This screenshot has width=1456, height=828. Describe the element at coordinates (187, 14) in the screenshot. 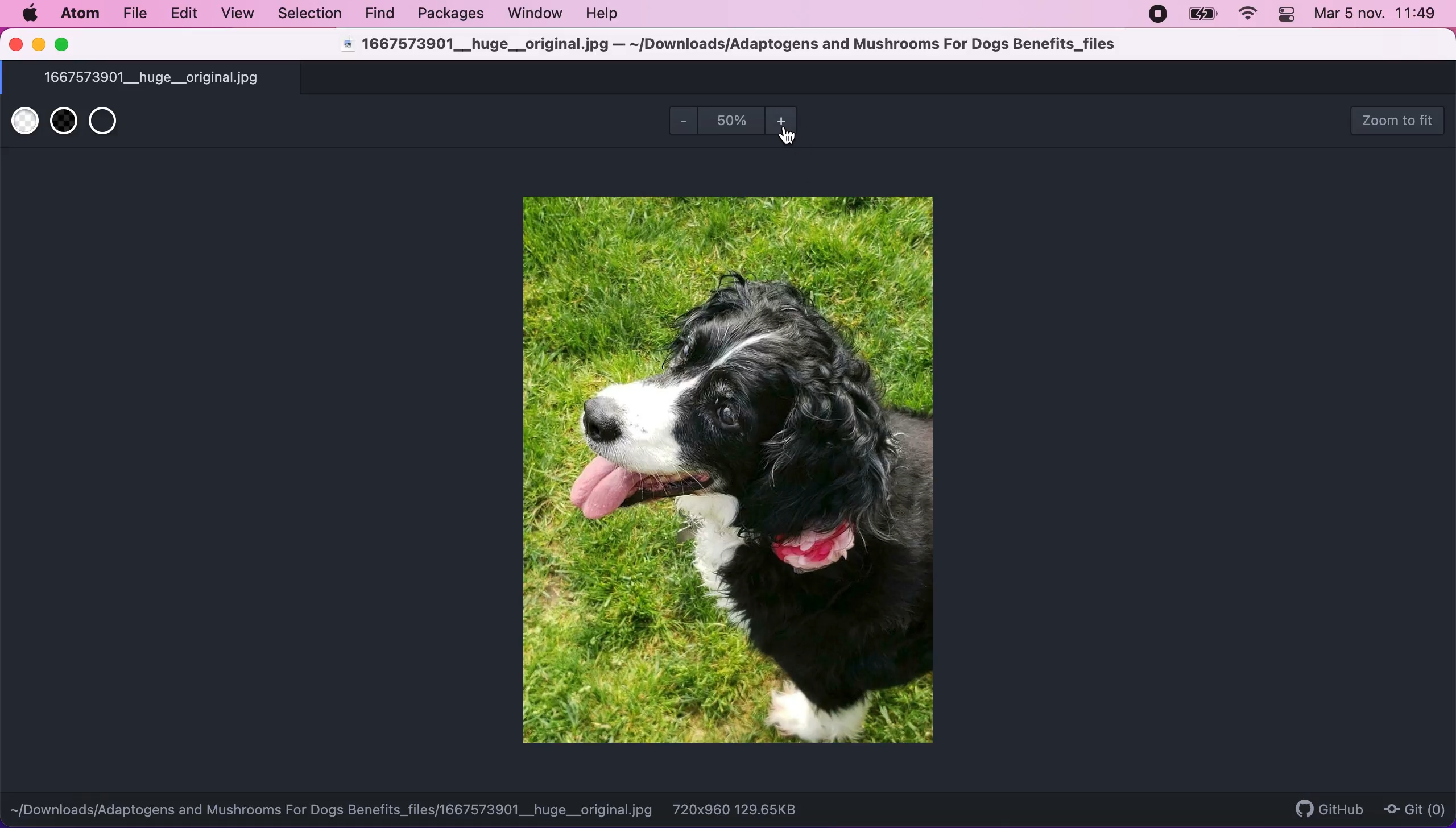

I see `edit` at that location.